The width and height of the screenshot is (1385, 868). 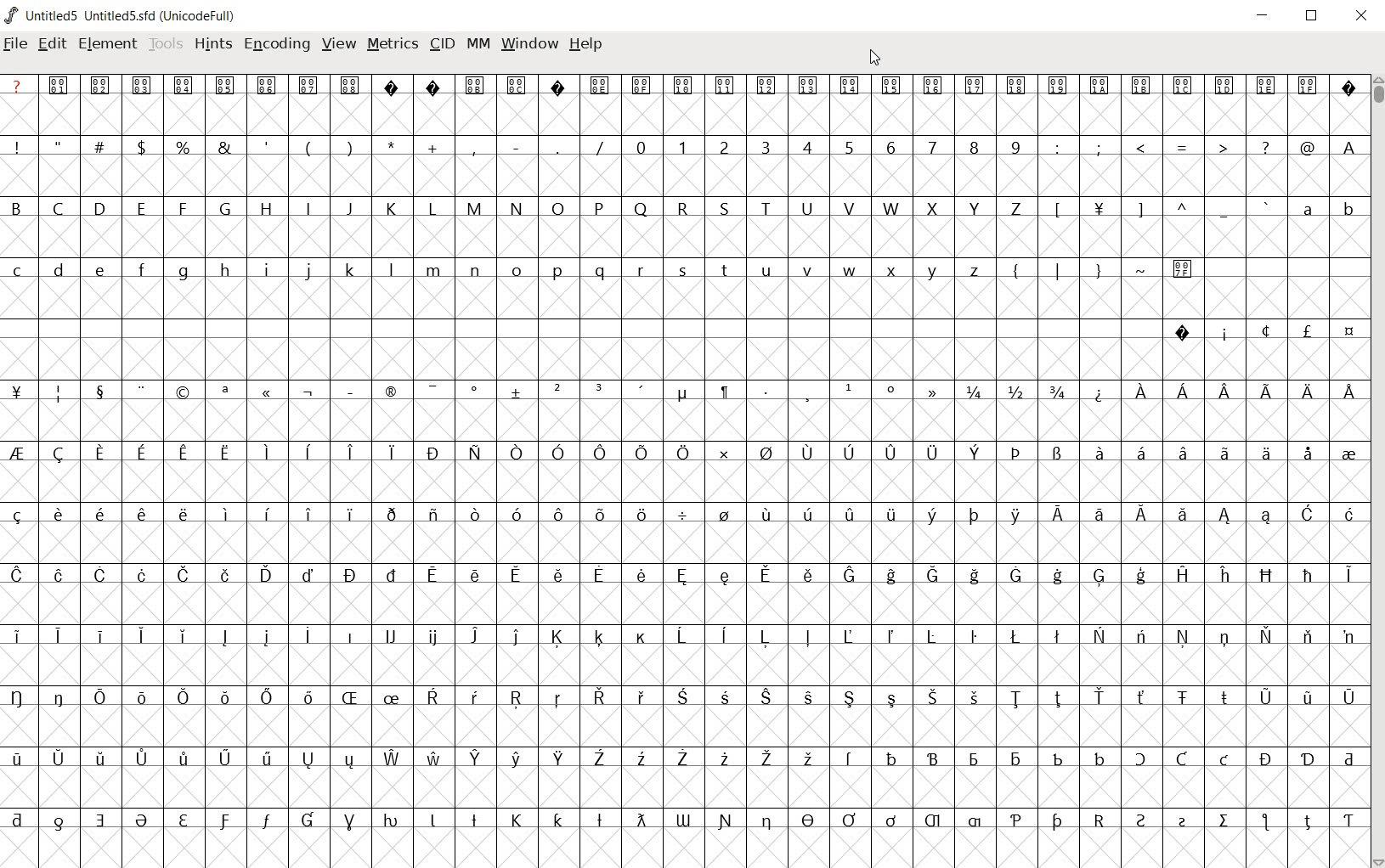 I want to click on Symbol, so click(x=807, y=638).